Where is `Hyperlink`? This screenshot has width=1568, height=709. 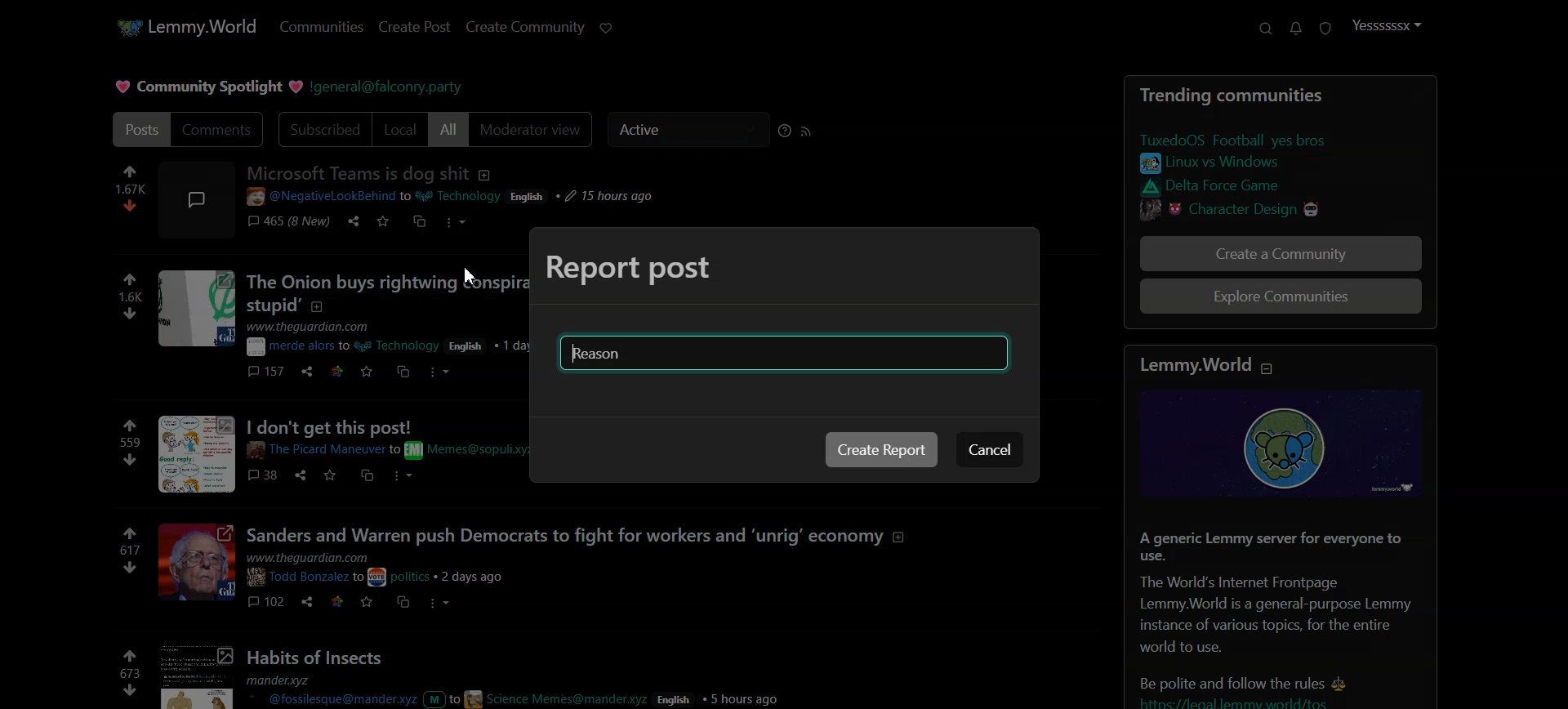 Hyperlink is located at coordinates (390, 87).